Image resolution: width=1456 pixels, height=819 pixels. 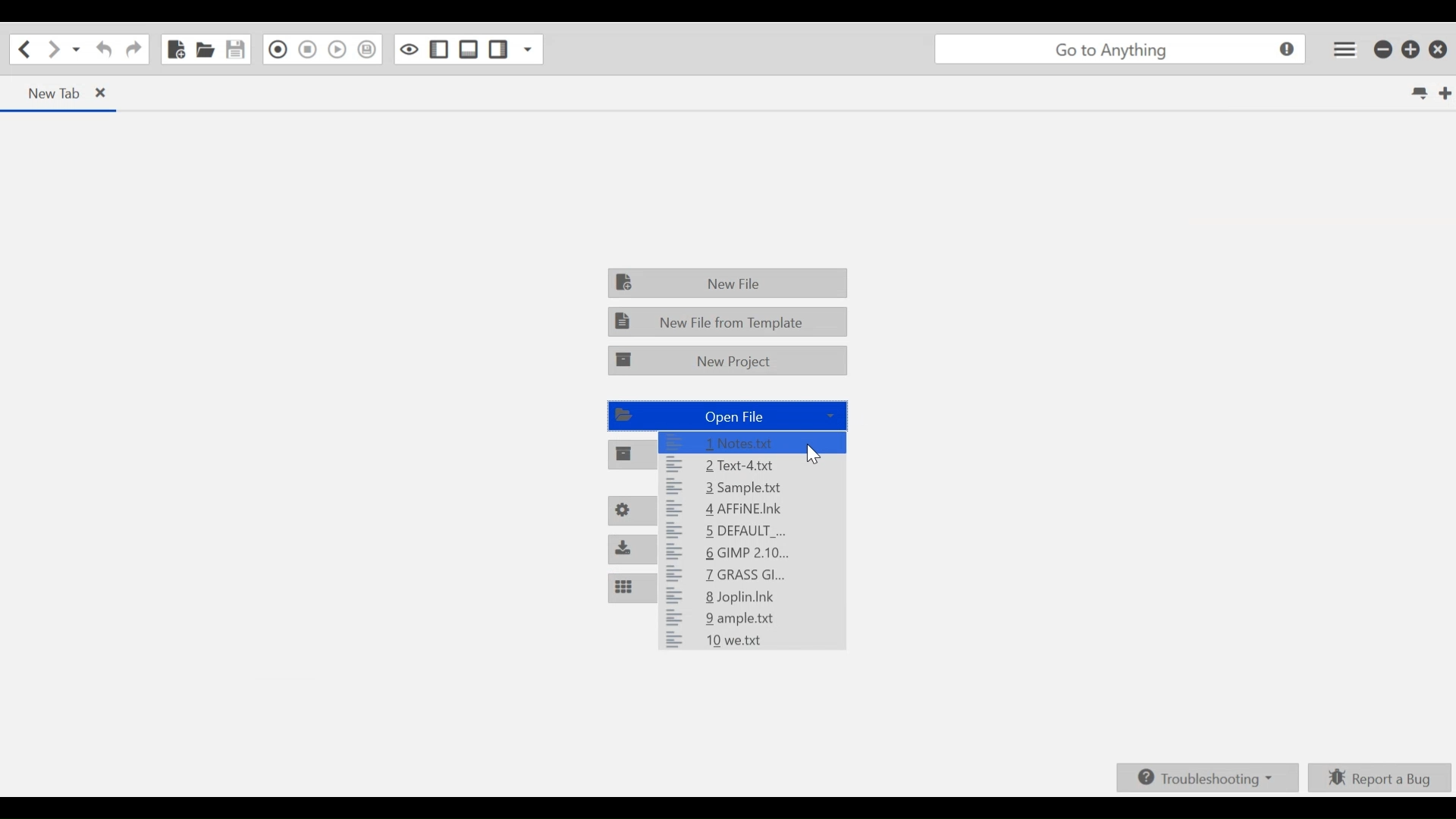 What do you see at coordinates (1442, 94) in the screenshot?
I see `New tab` at bounding box center [1442, 94].